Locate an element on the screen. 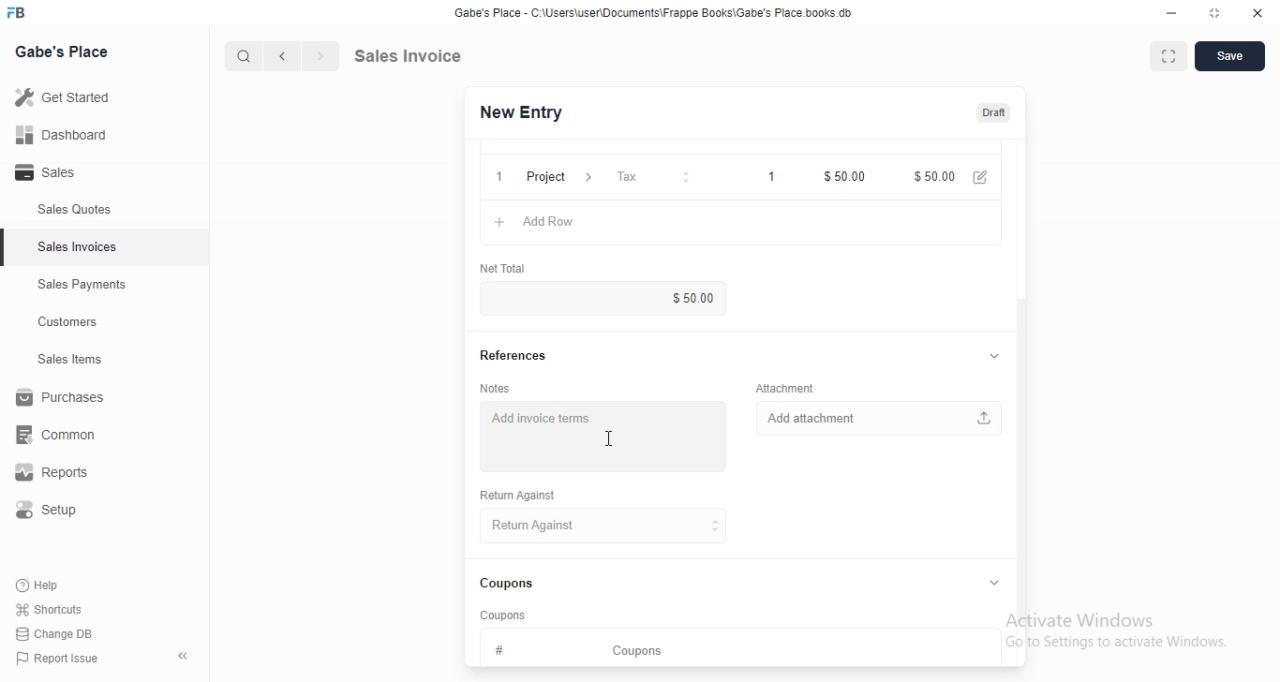 Image resolution: width=1280 pixels, height=682 pixels. Setup is located at coordinates (57, 513).